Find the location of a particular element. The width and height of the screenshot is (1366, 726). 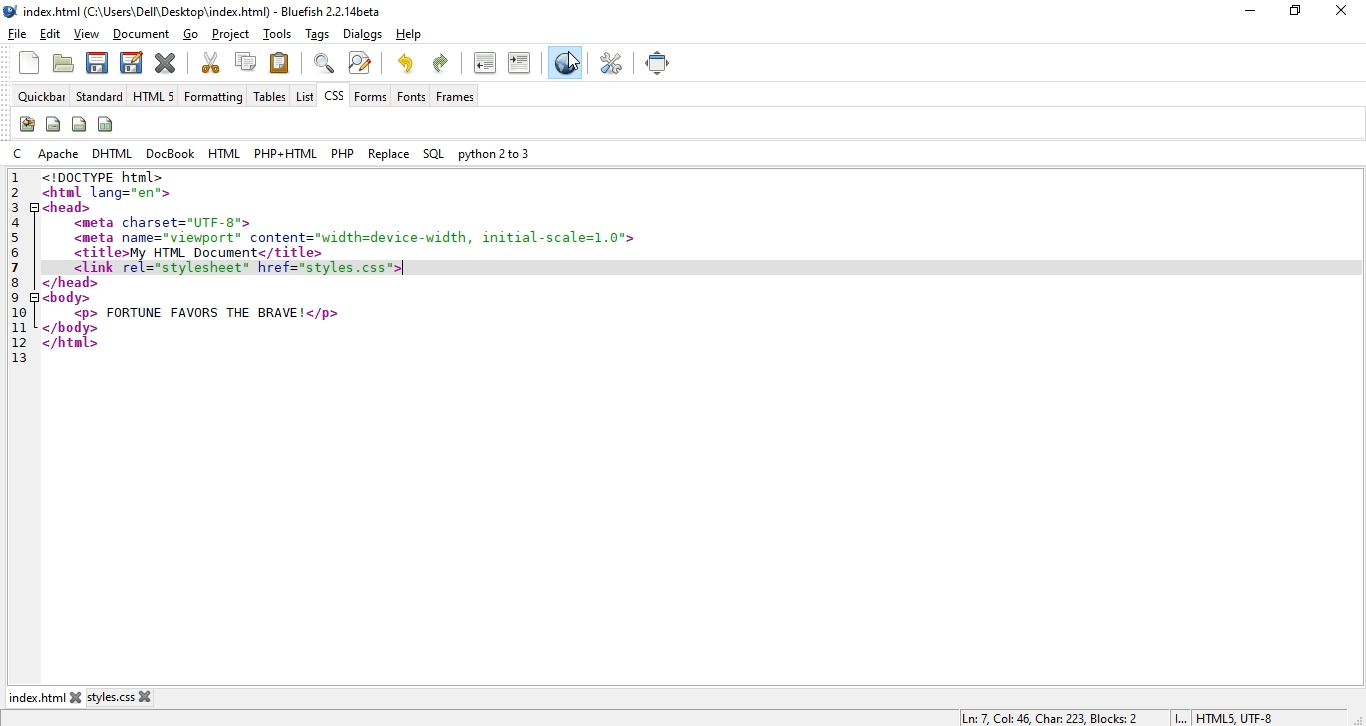

php-html is located at coordinates (285, 154).